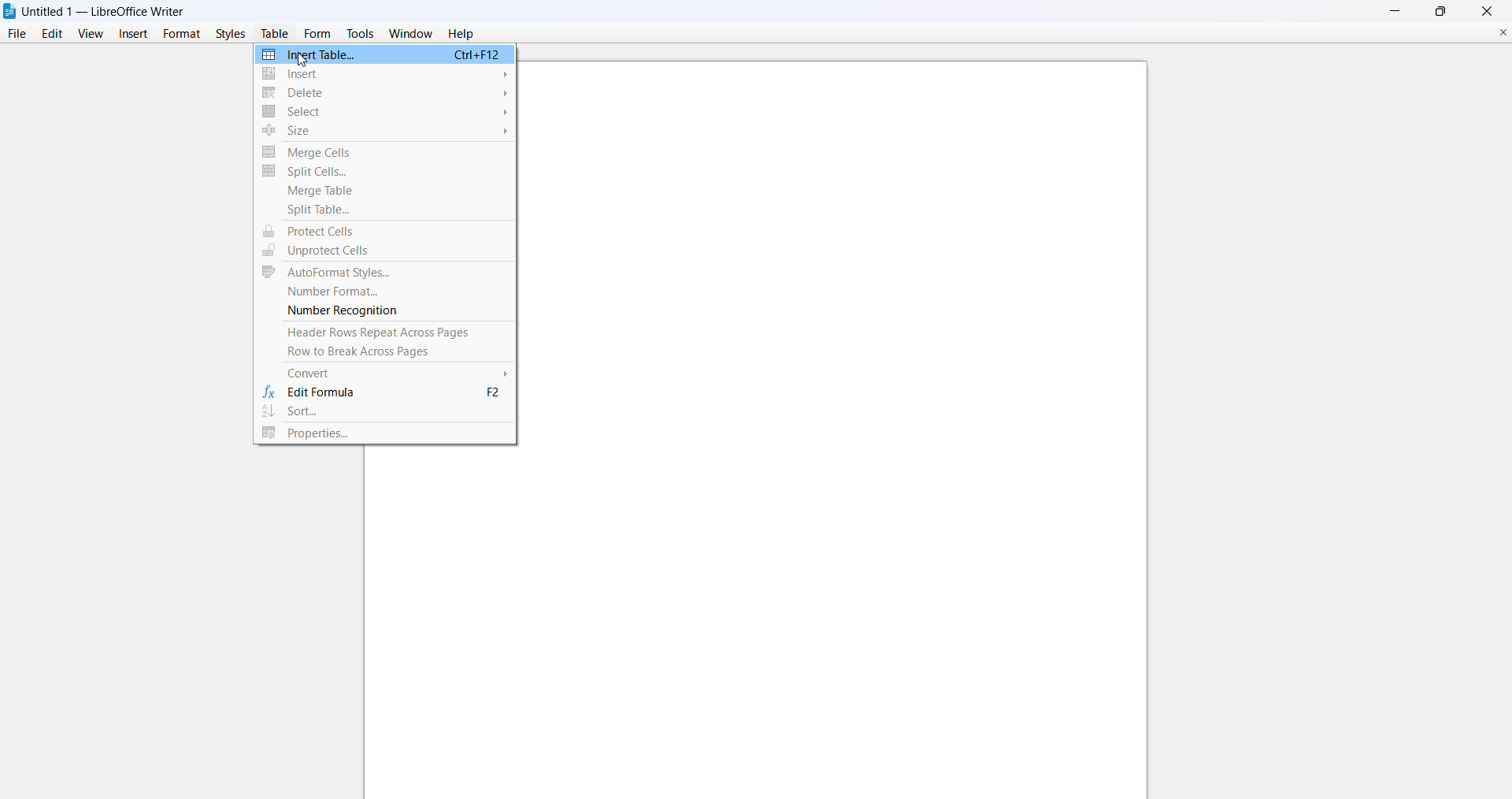 This screenshot has height=799, width=1512. Describe the element at coordinates (50, 34) in the screenshot. I see `edit` at that location.